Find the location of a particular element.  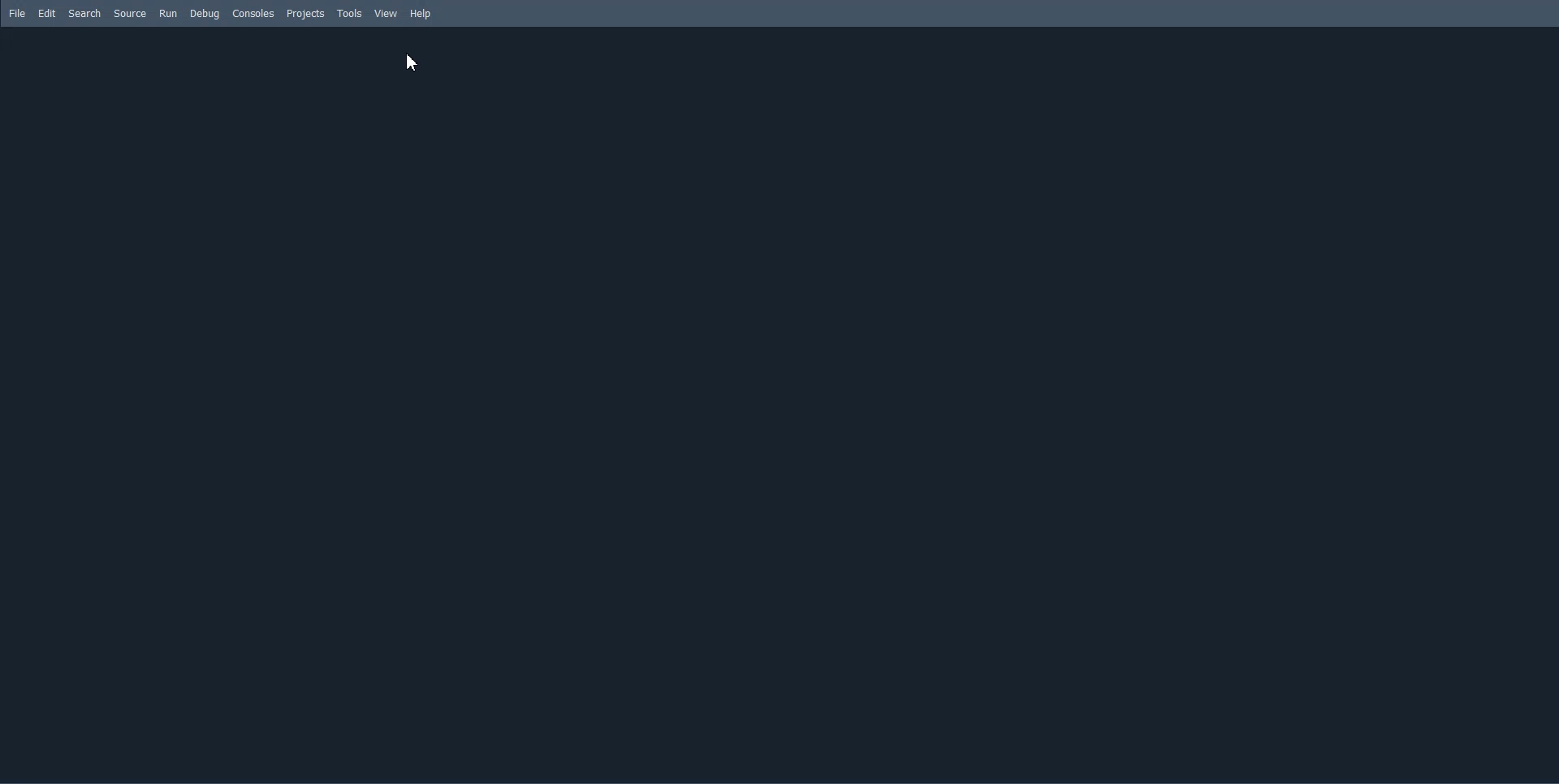

Debug is located at coordinates (205, 14).